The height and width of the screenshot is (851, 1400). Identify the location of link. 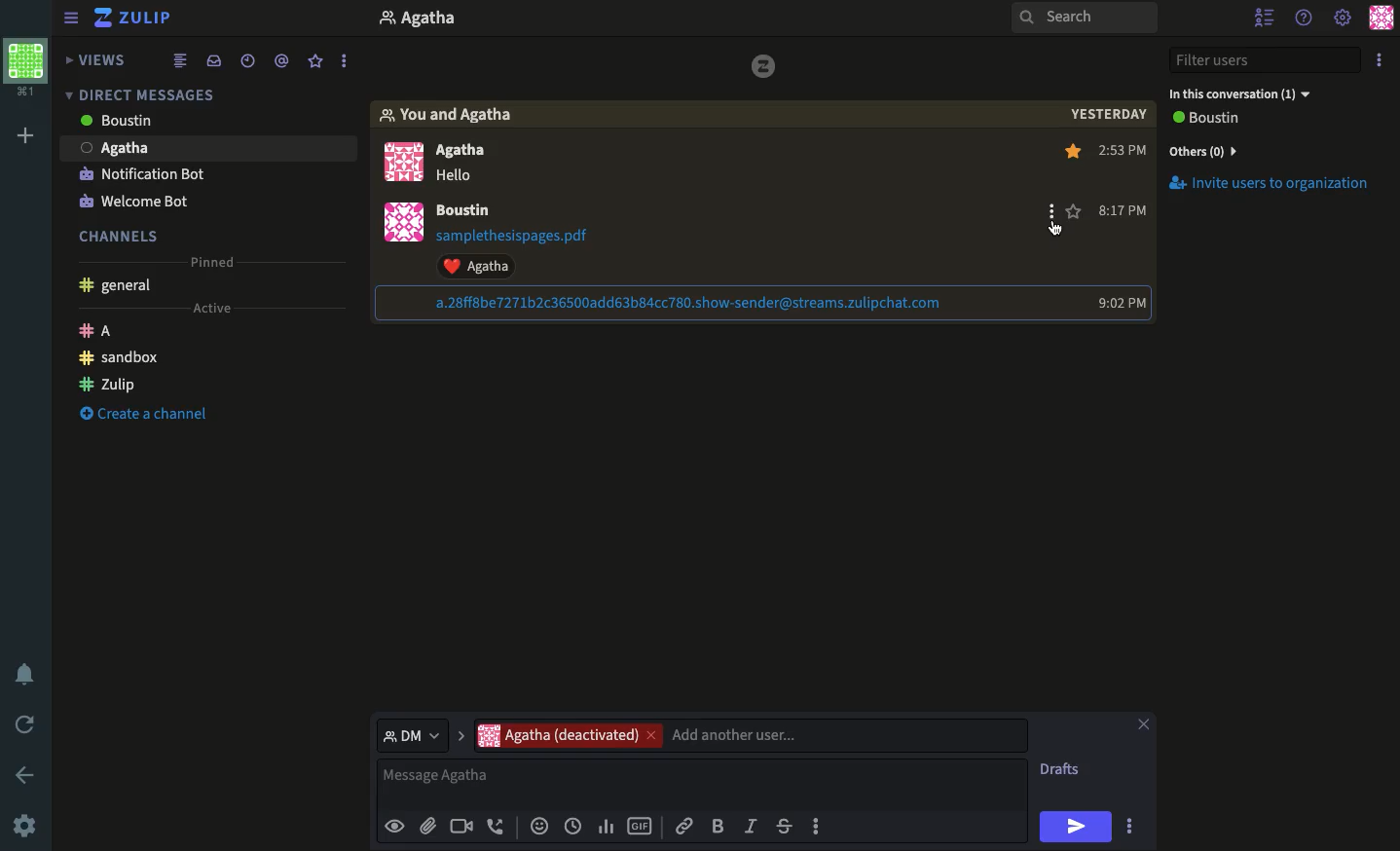
(690, 303).